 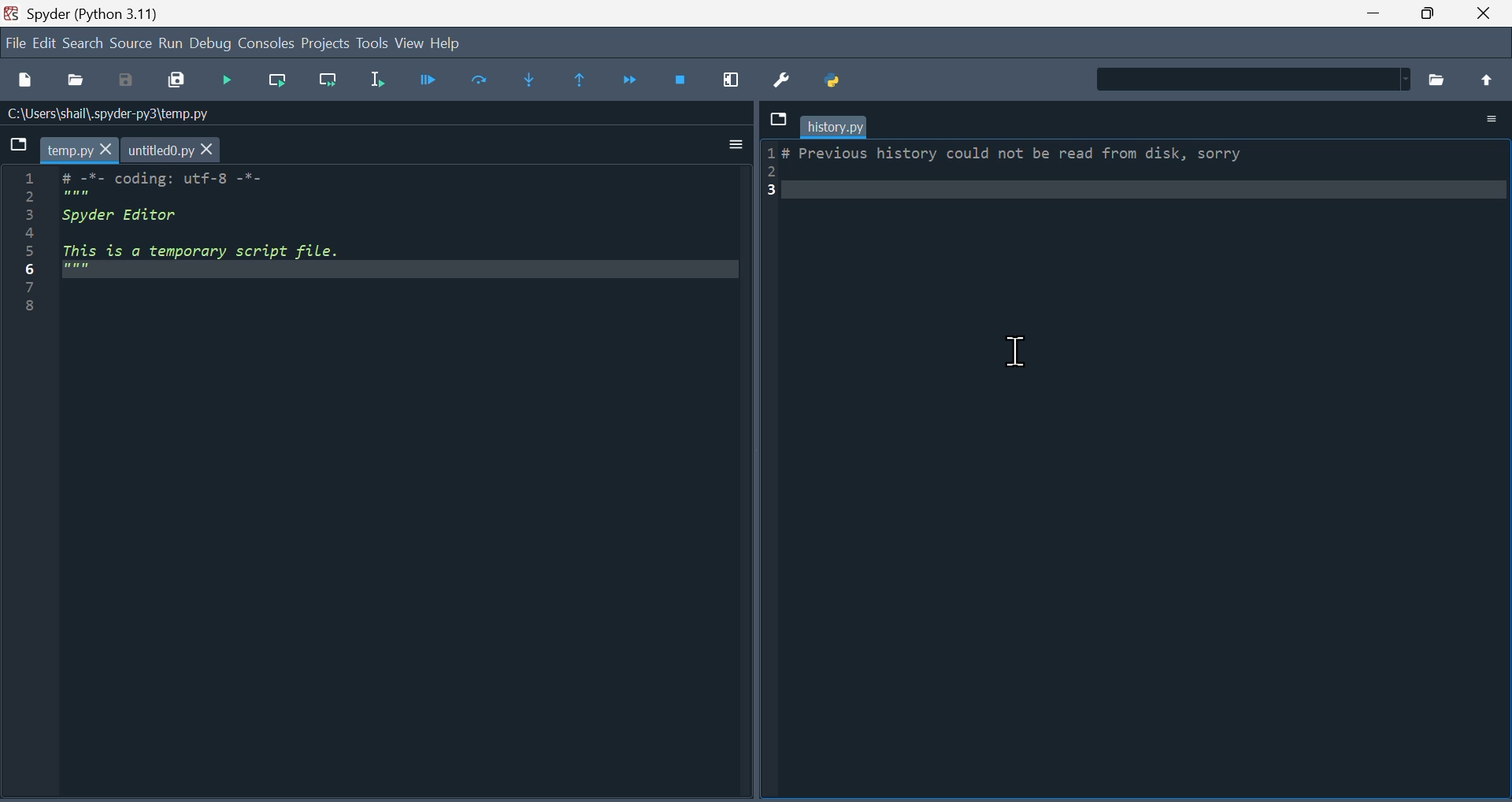 What do you see at coordinates (736, 77) in the screenshot?
I see `maximize current window` at bounding box center [736, 77].